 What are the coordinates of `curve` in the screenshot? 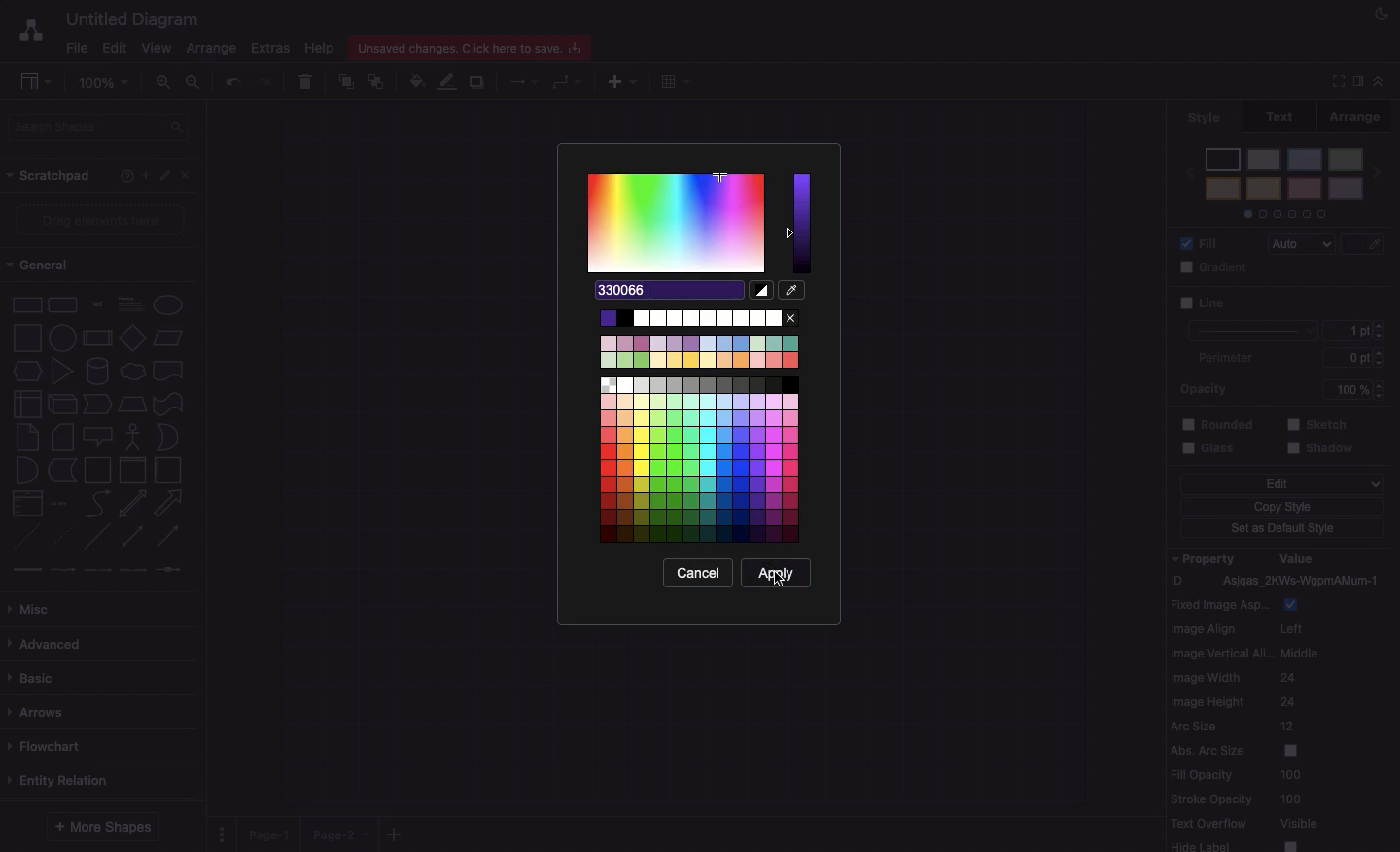 It's located at (97, 503).